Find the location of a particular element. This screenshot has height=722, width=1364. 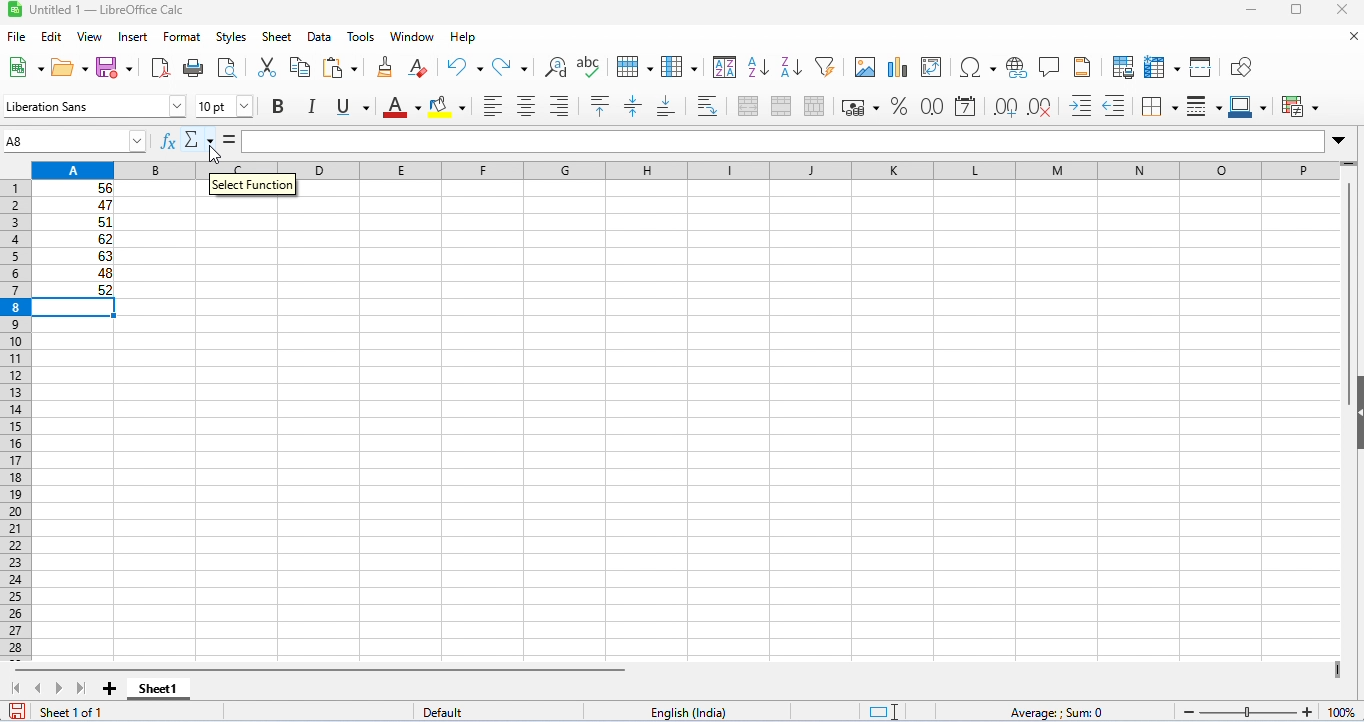

default is located at coordinates (448, 713).